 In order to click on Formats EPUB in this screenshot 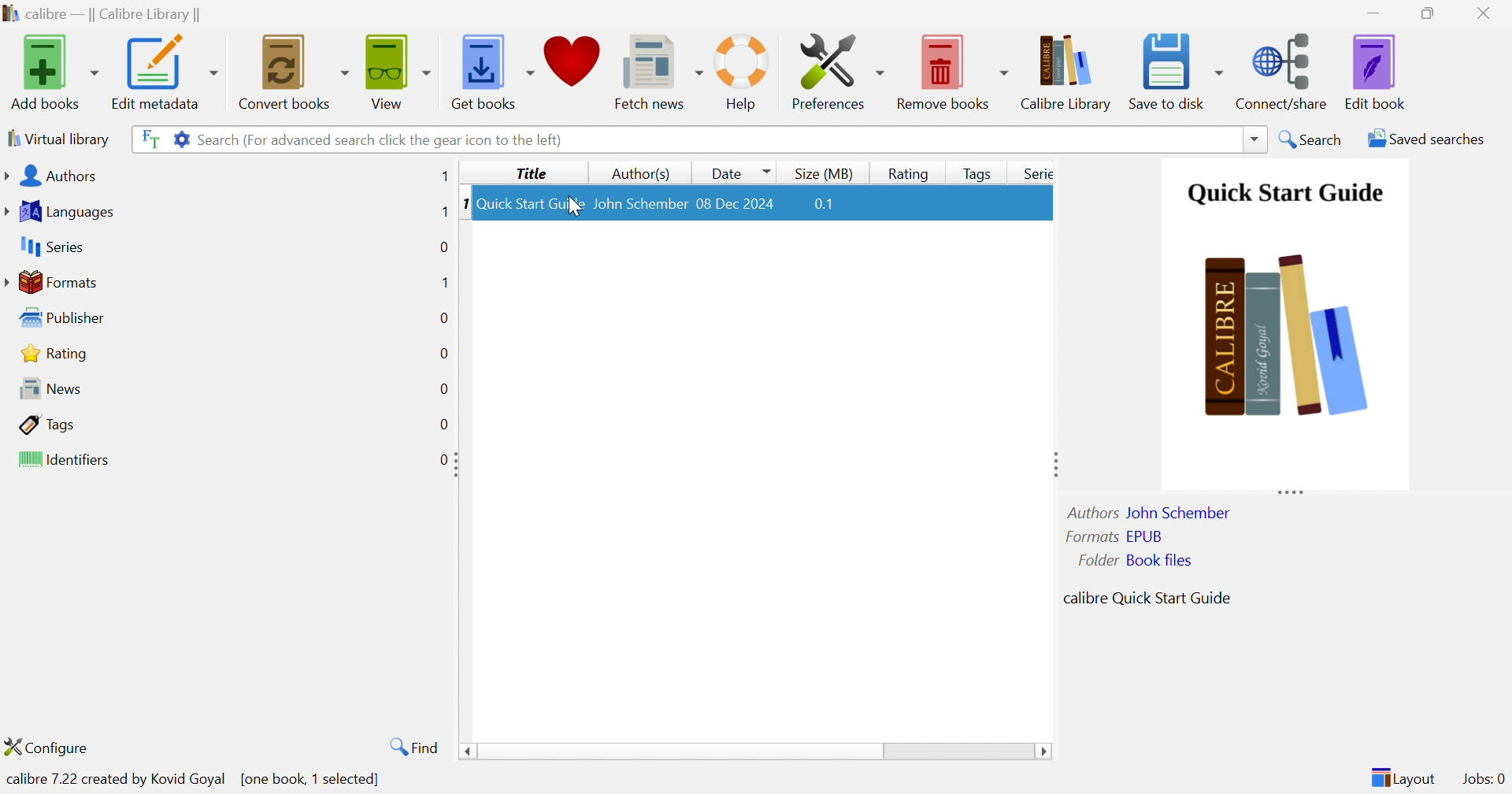, I will do `click(1114, 536)`.